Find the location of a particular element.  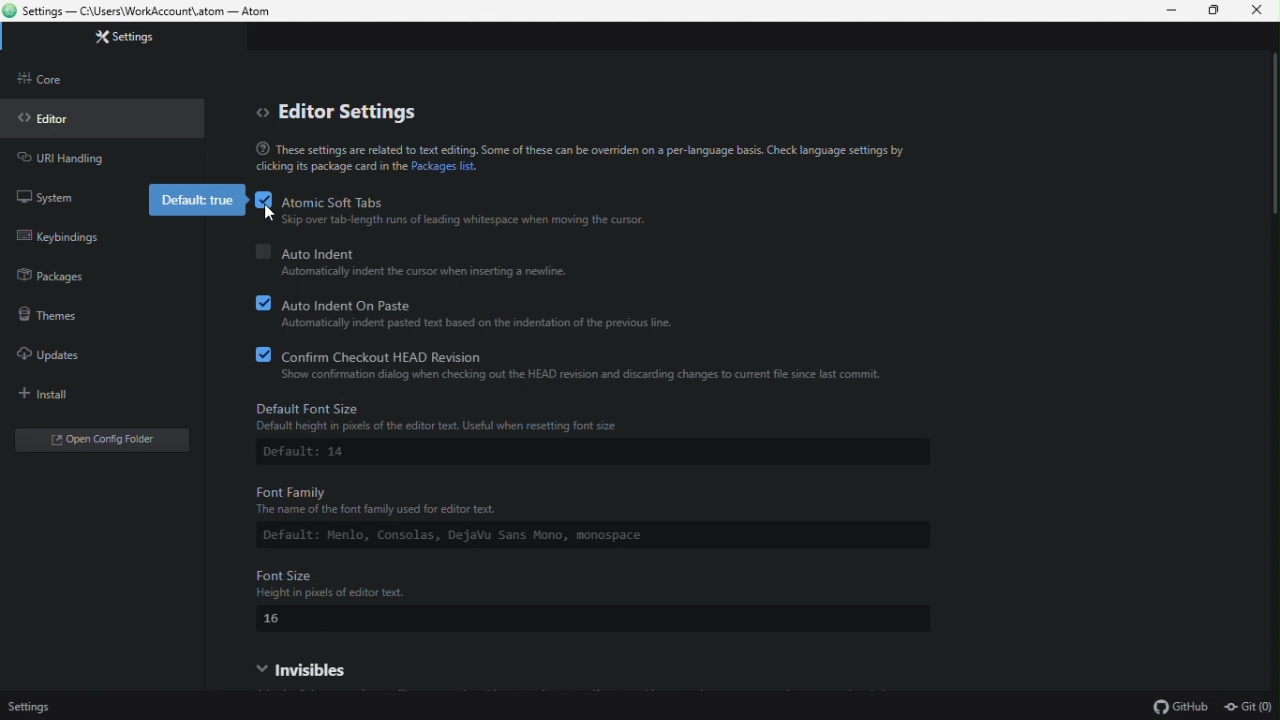

Packages is located at coordinates (50, 278).